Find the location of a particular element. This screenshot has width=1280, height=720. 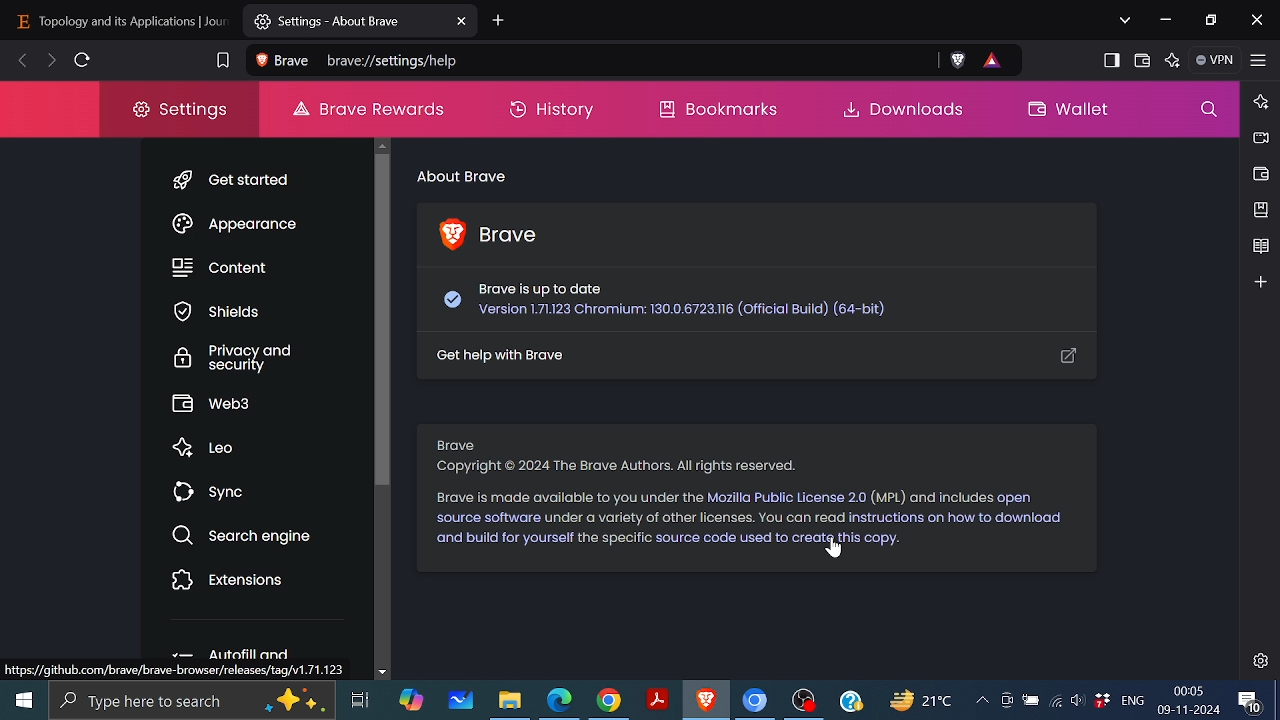

Reading list is located at coordinates (1262, 244).